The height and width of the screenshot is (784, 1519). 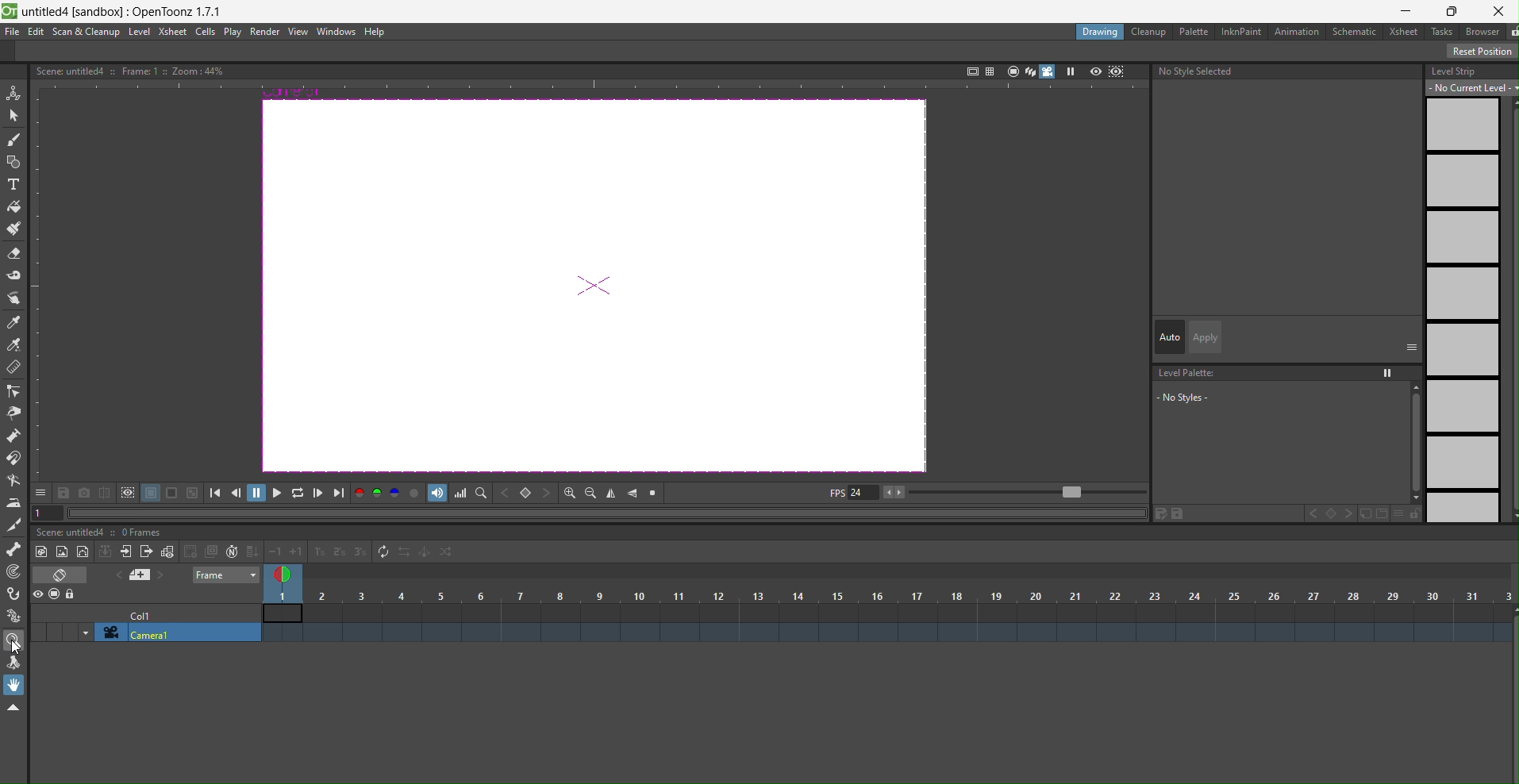 What do you see at coordinates (375, 31) in the screenshot?
I see `help` at bounding box center [375, 31].